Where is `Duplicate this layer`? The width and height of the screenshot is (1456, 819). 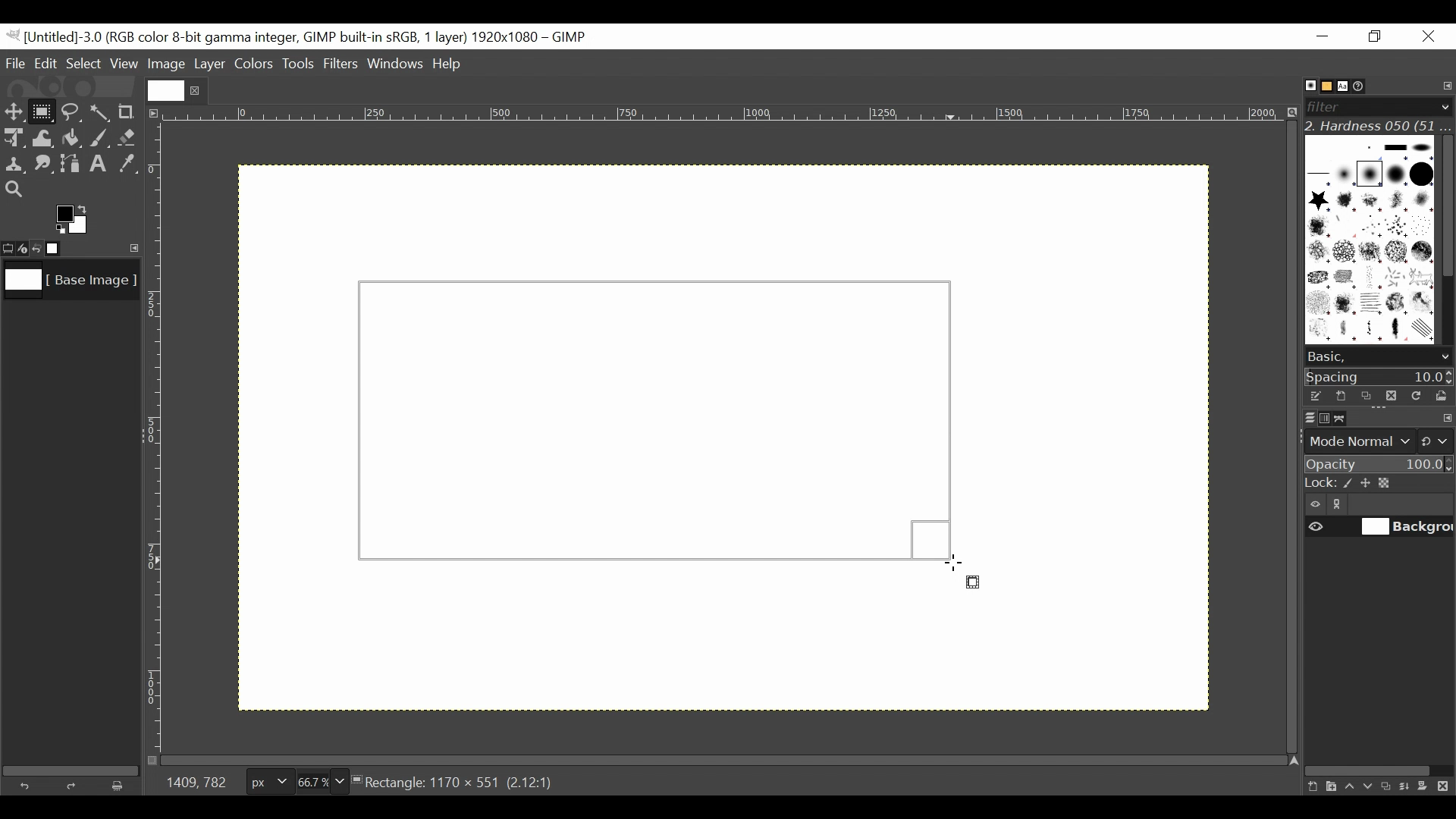 Duplicate this layer is located at coordinates (1389, 786).